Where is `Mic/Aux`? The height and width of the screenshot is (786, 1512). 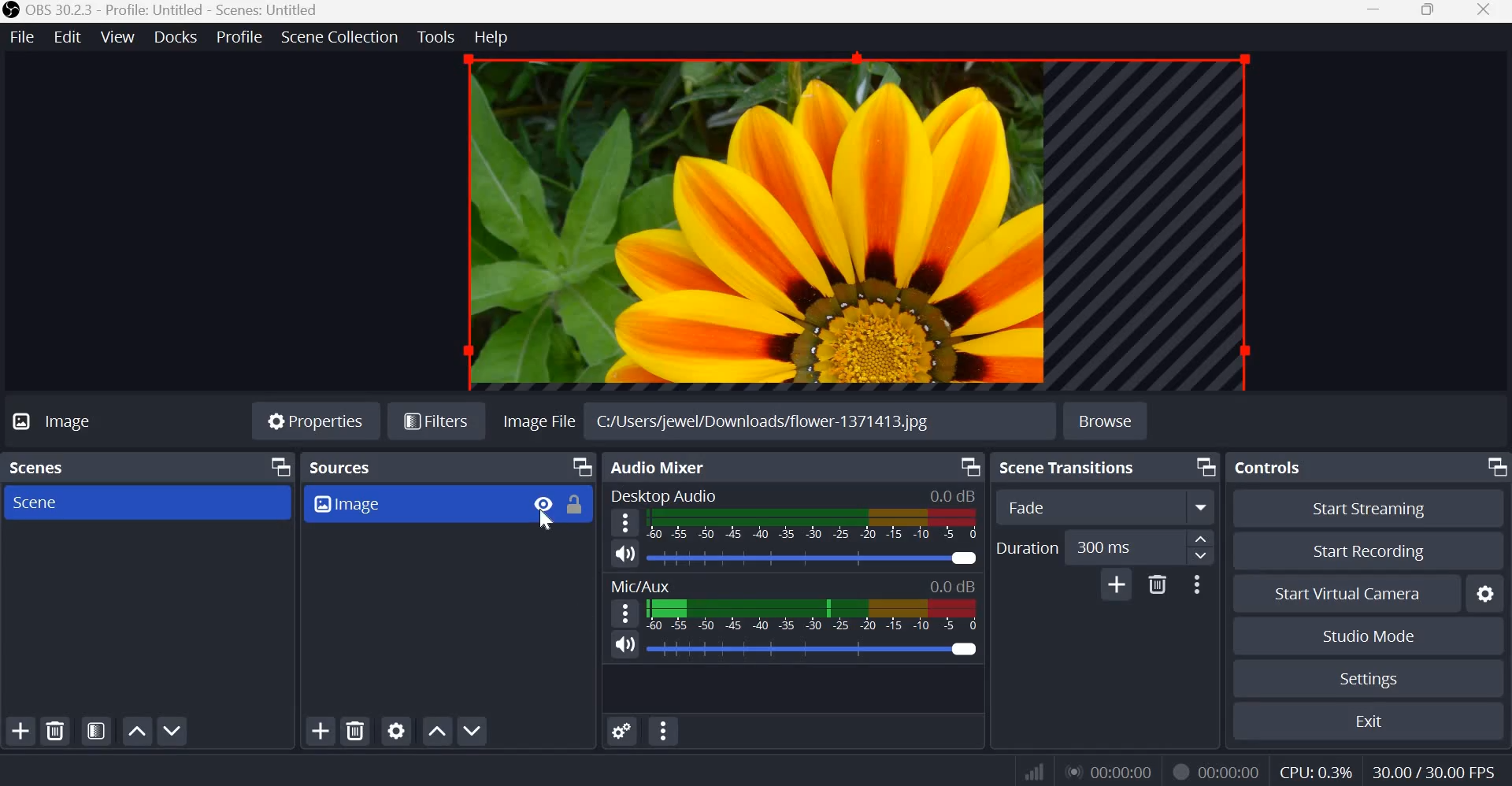
Mic/Aux is located at coordinates (639, 586).